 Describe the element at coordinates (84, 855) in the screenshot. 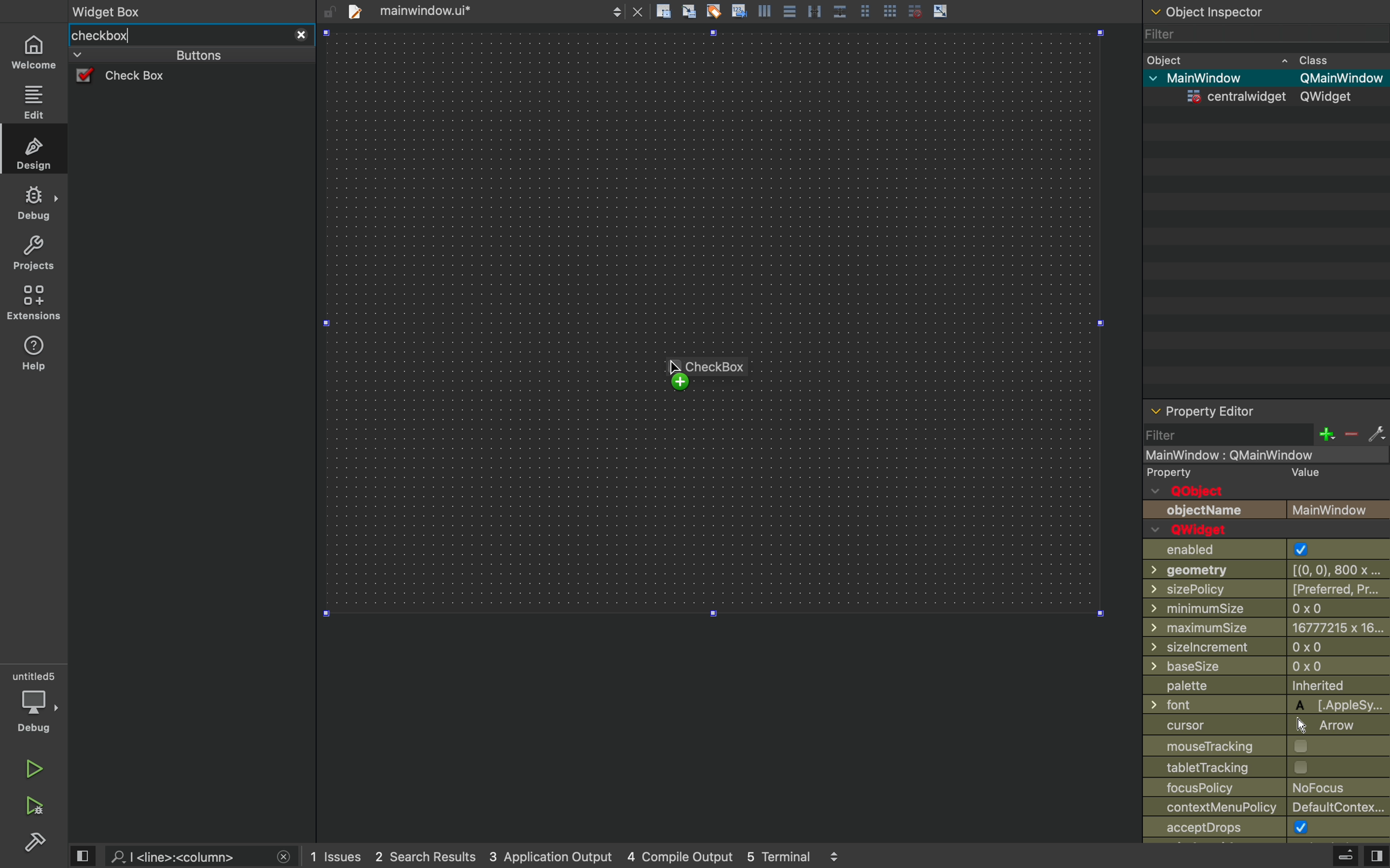

I see `view` at that location.